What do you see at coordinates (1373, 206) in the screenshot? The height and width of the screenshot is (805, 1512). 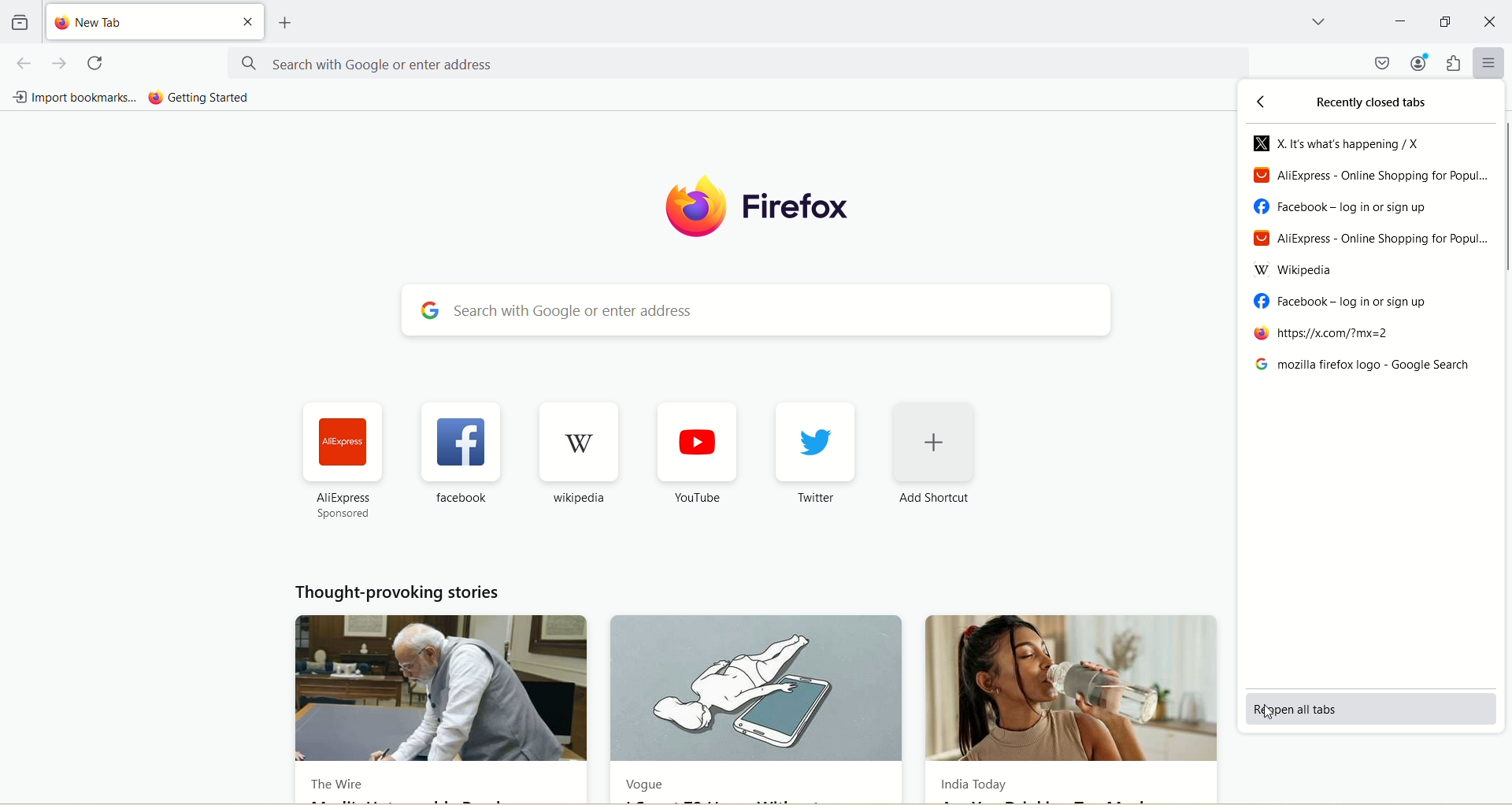 I see `facebook` at bounding box center [1373, 206].